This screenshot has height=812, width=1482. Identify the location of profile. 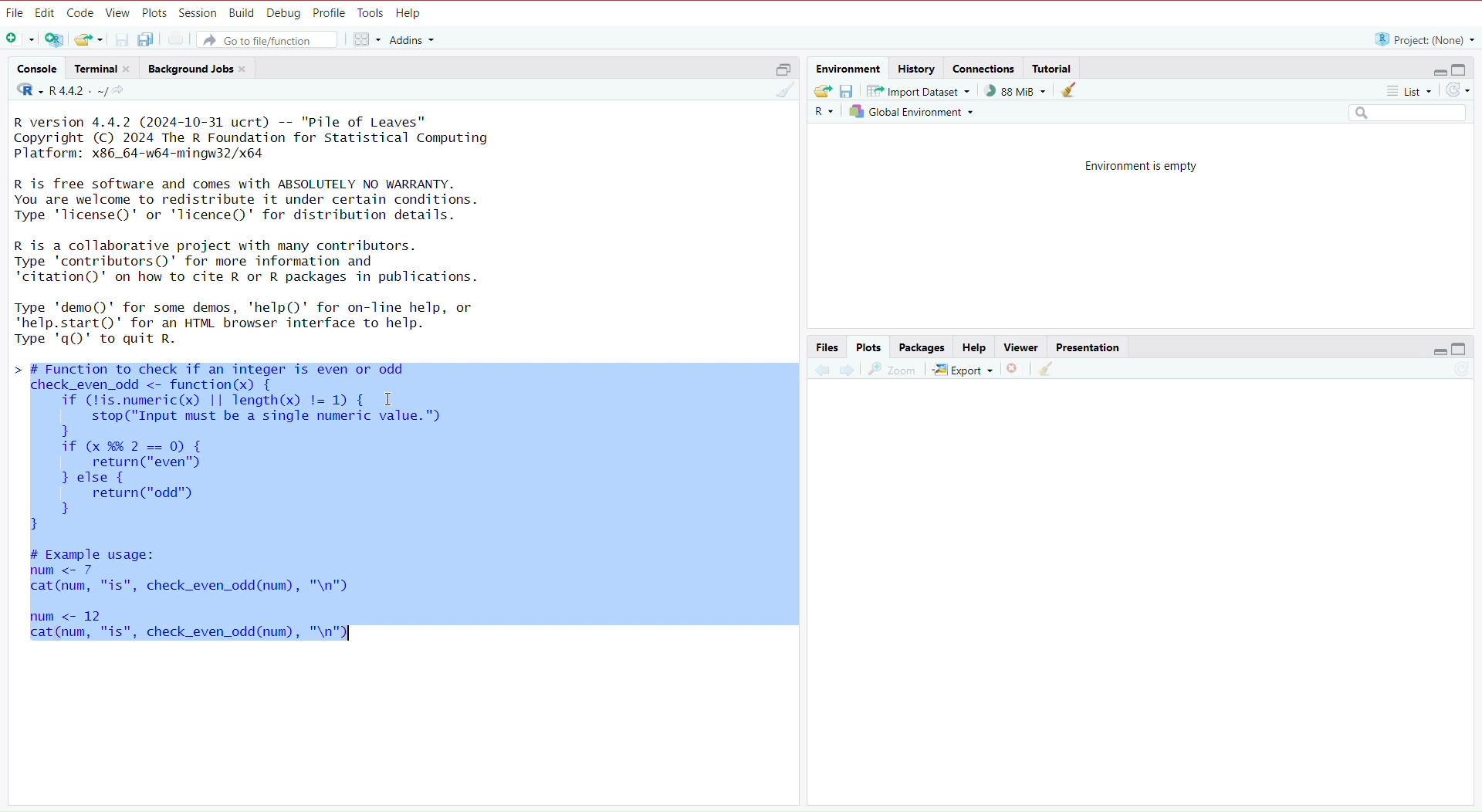
(330, 13).